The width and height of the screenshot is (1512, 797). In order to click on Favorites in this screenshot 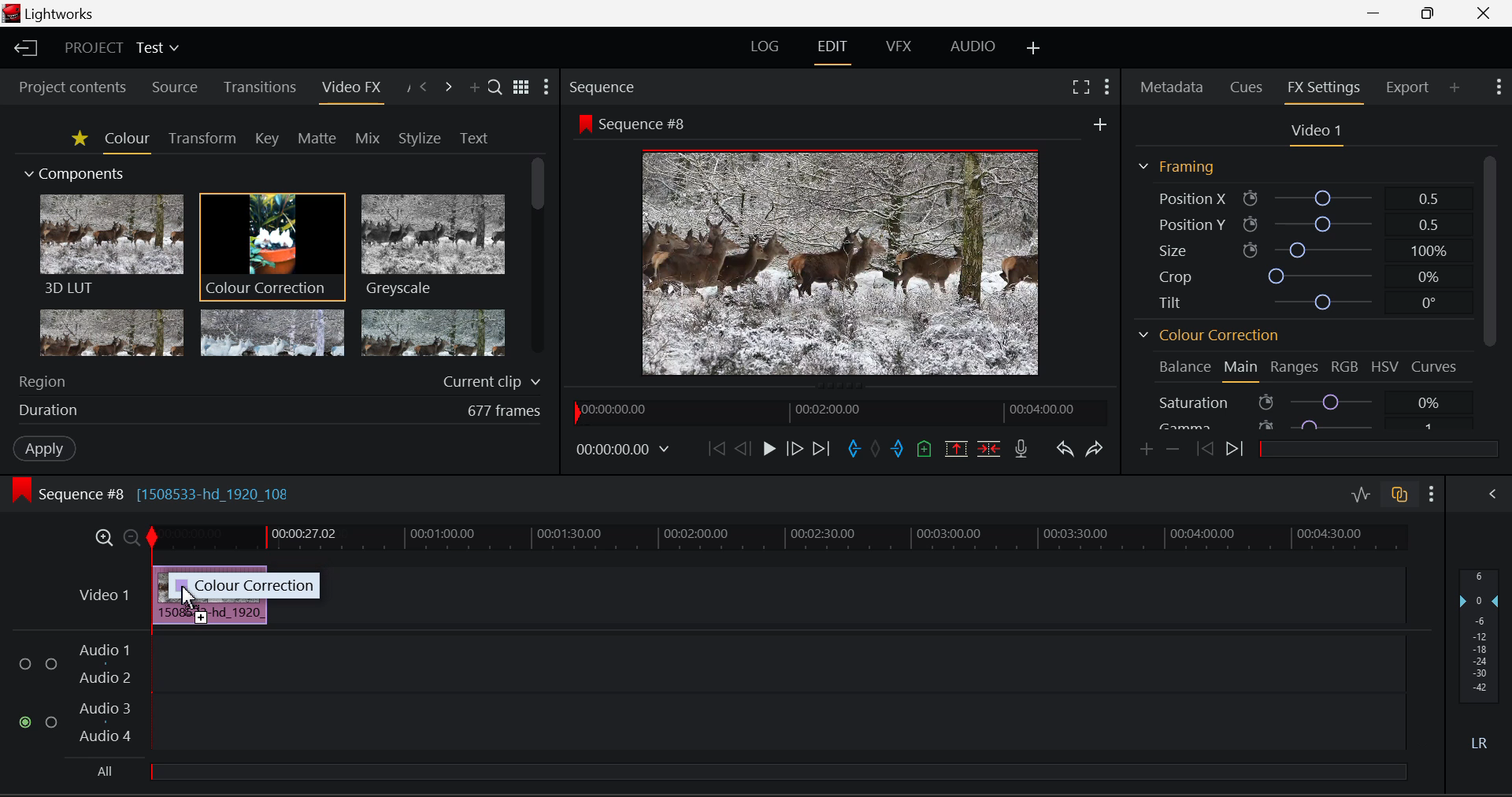, I will do `click(77, 139)`.